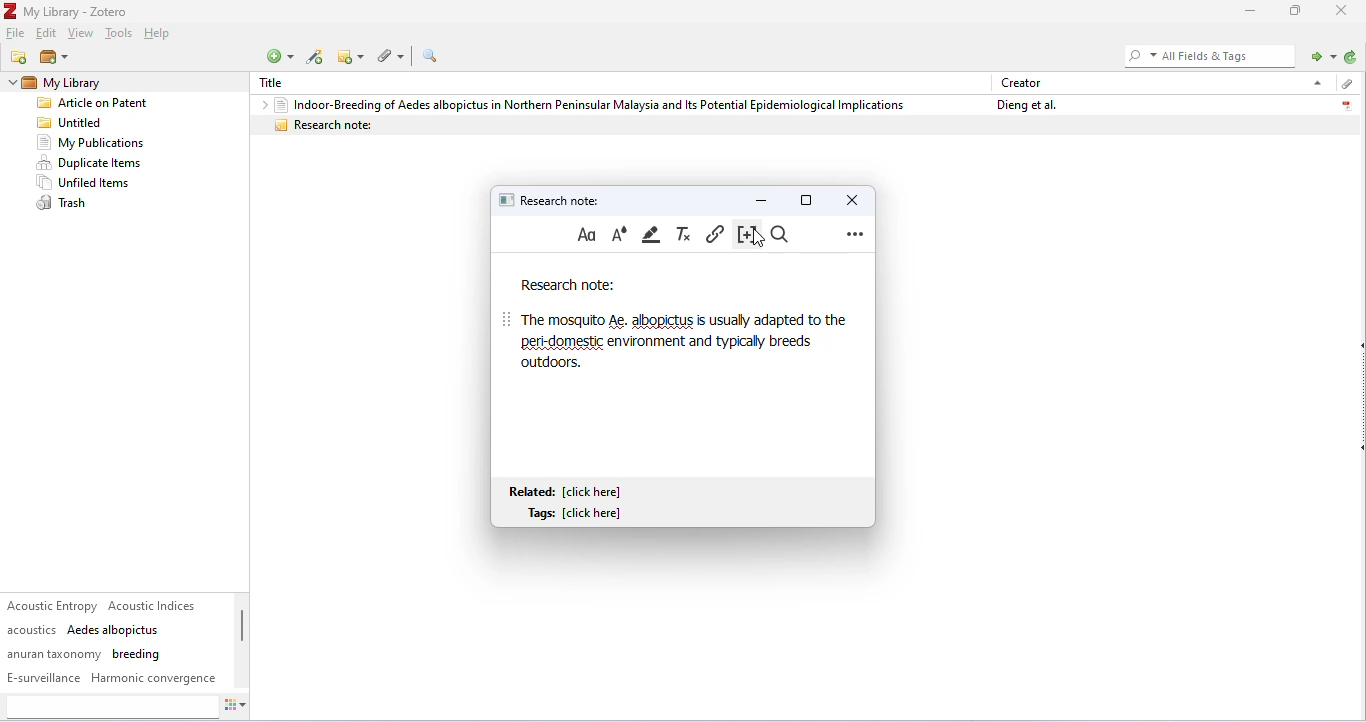 The height and width of the screenshot is (722, 1366). I want to click on my publication, so click(90, 143).